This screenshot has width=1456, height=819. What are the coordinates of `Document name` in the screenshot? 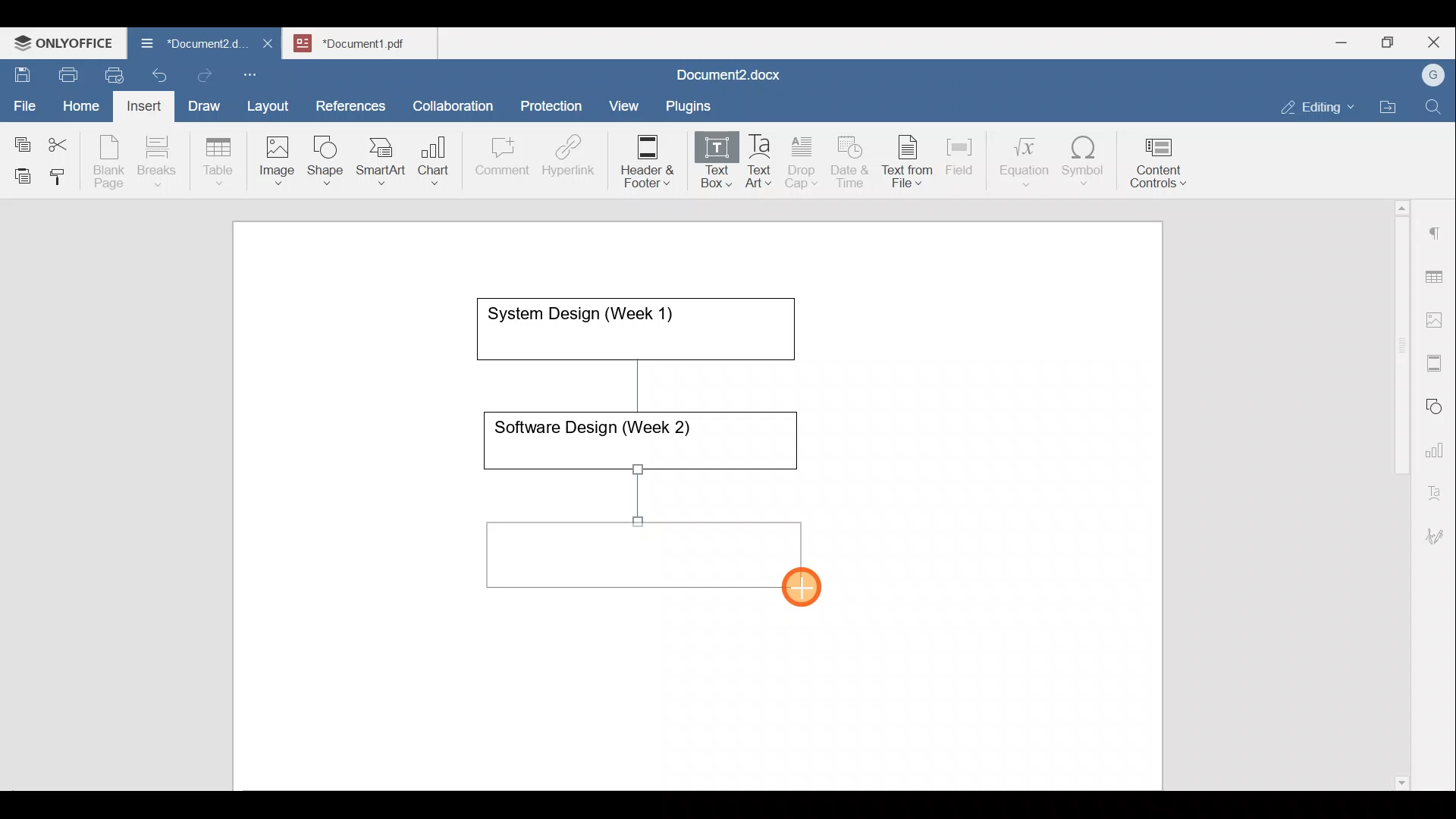 It's located at (185, 45).